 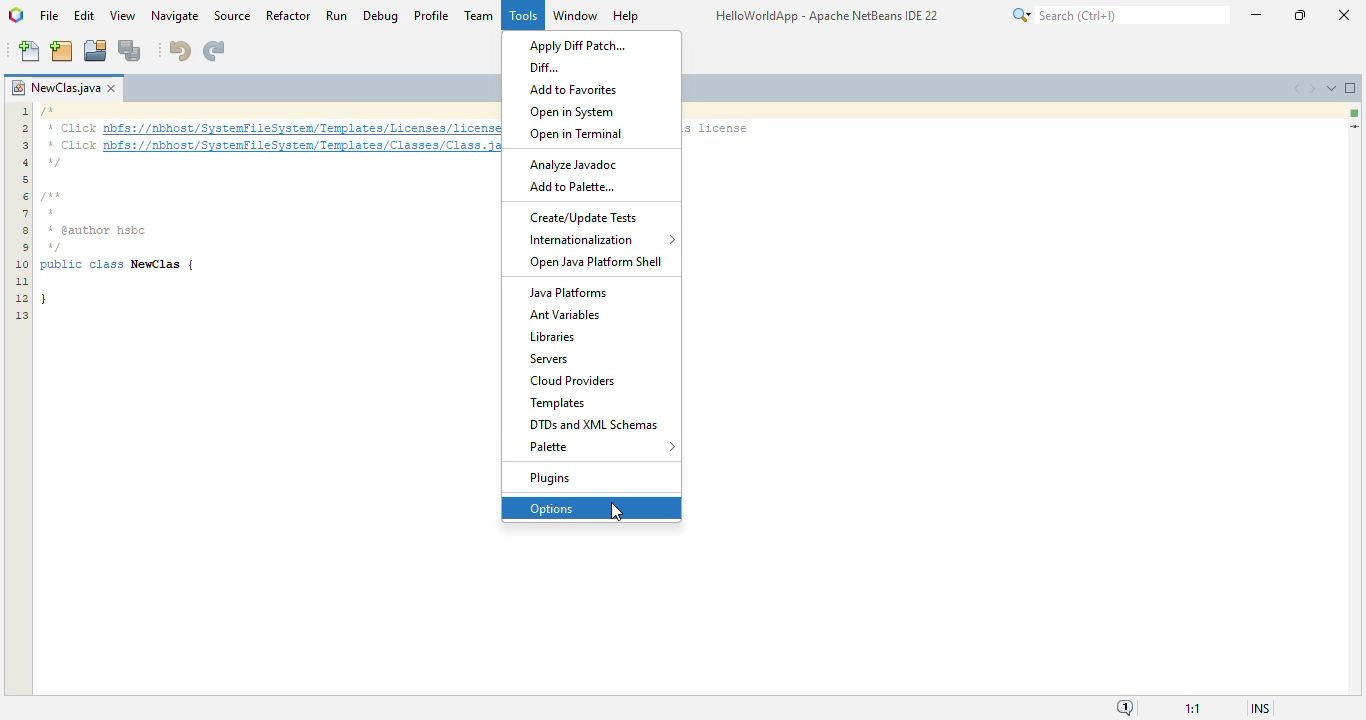 I want to click on add to favorites, so click(x=573, y=90).